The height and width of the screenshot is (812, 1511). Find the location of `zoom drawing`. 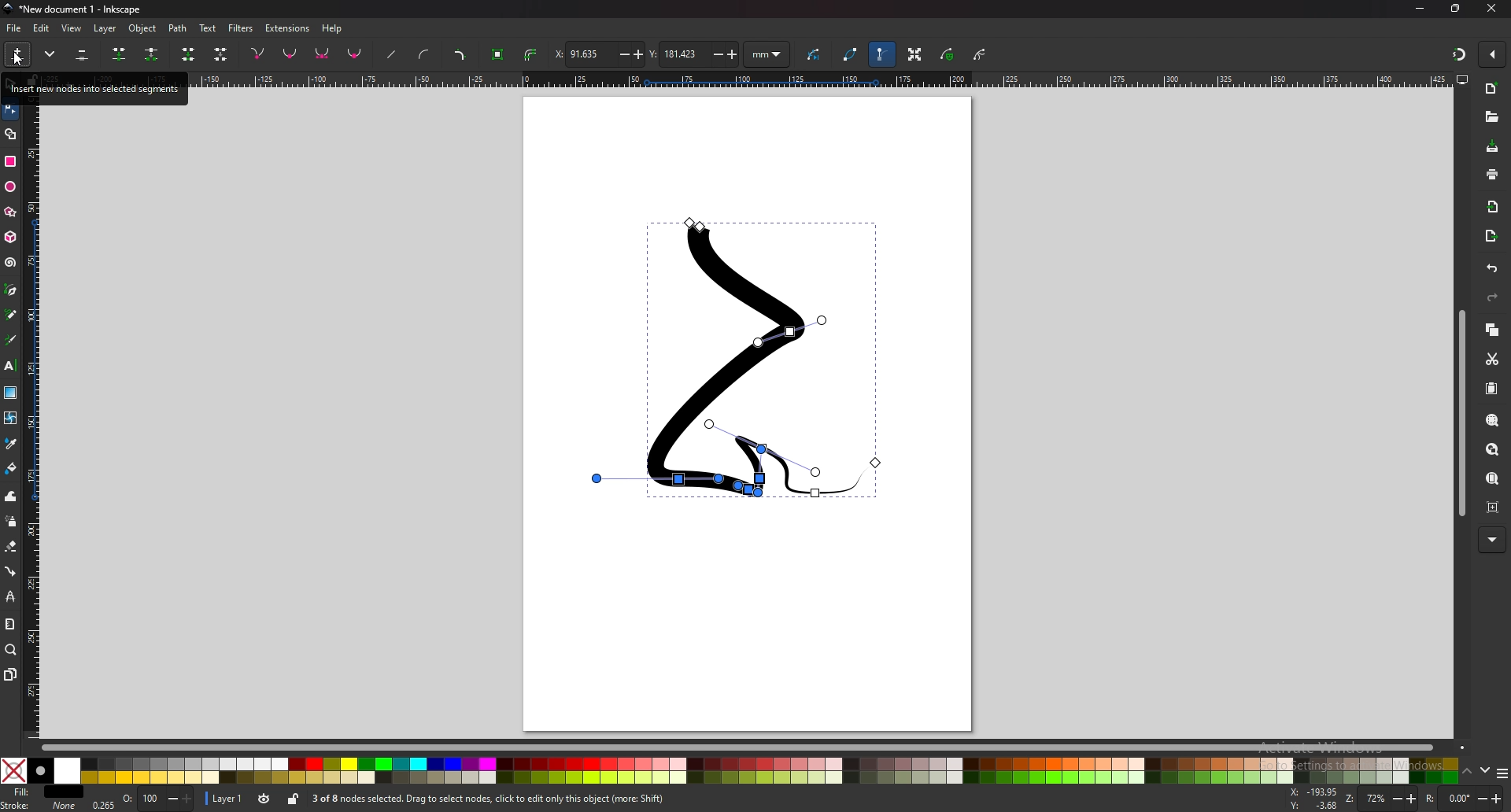

zoom drawing is located at coordinates (1493, 449).